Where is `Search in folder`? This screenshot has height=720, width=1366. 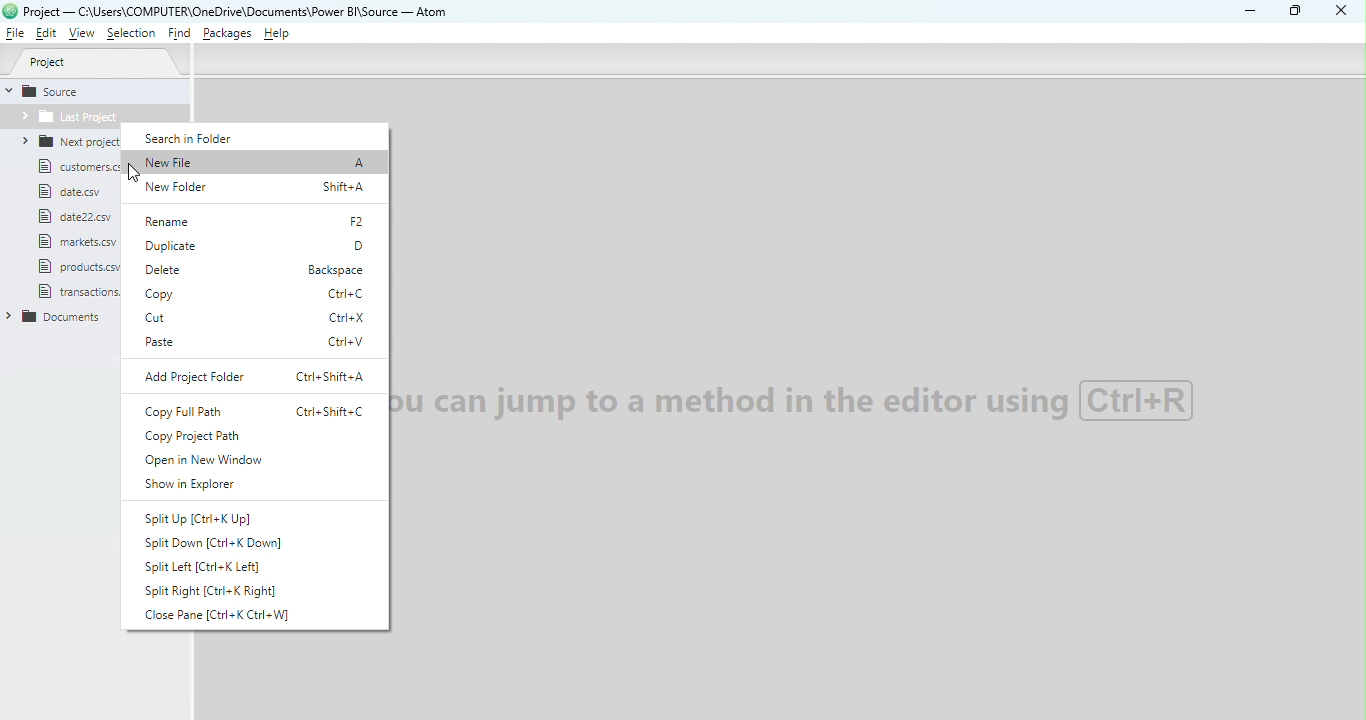 Search in folder is located at coordinates (235, 137).